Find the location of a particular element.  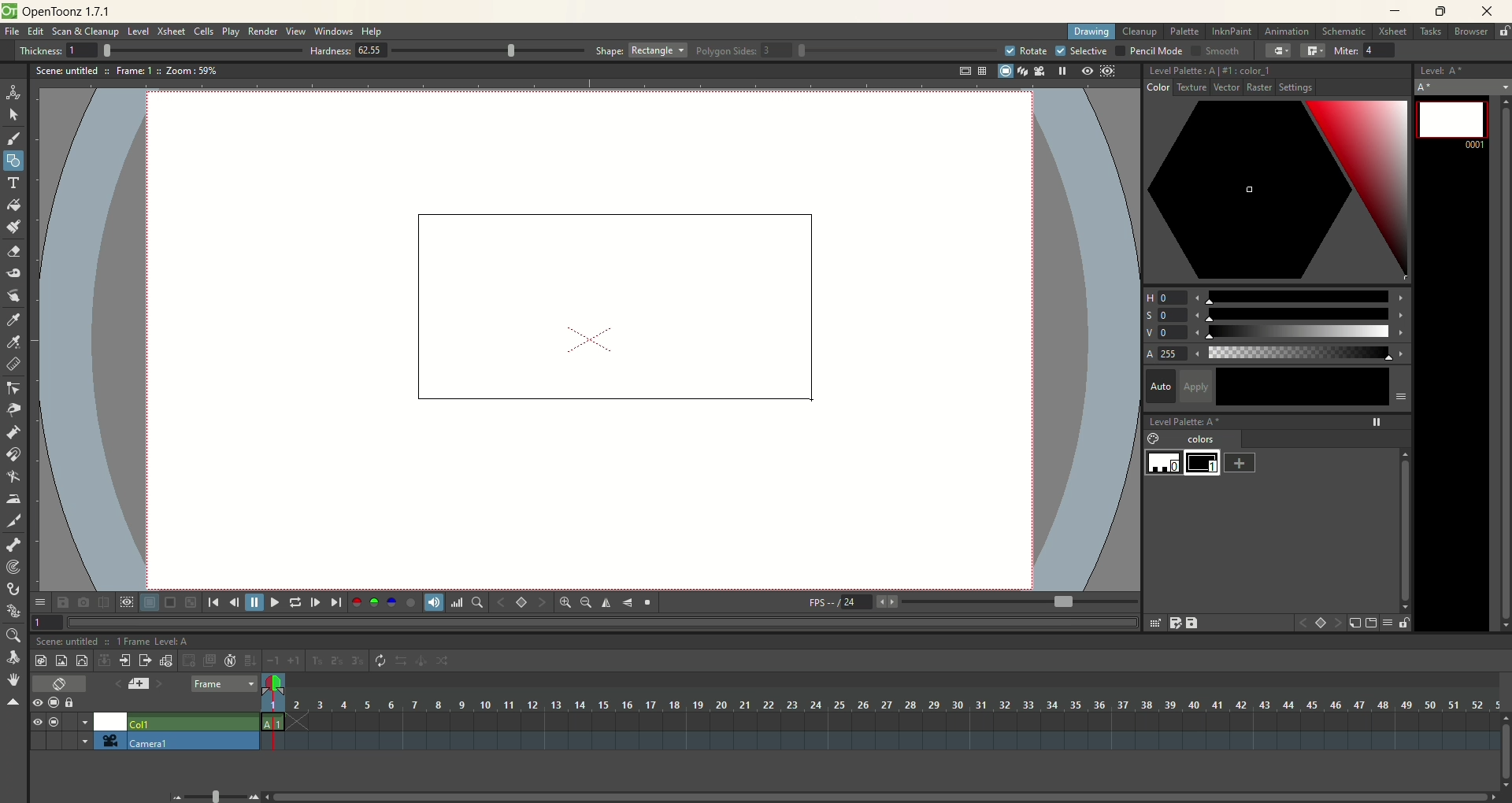

add new memo is located at coordinates (138, 683).